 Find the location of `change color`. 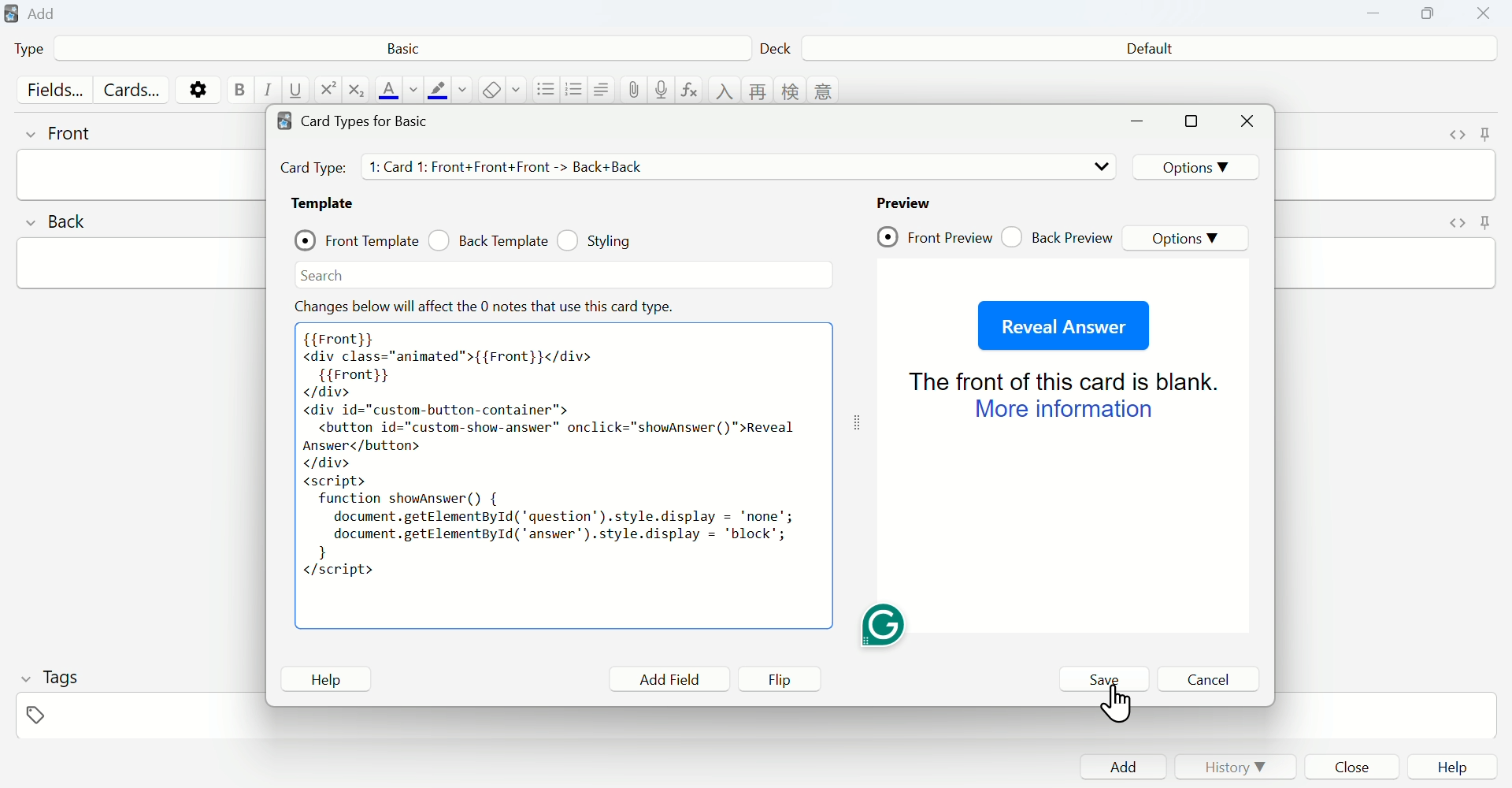

change color is located at coordinates (413, 90).